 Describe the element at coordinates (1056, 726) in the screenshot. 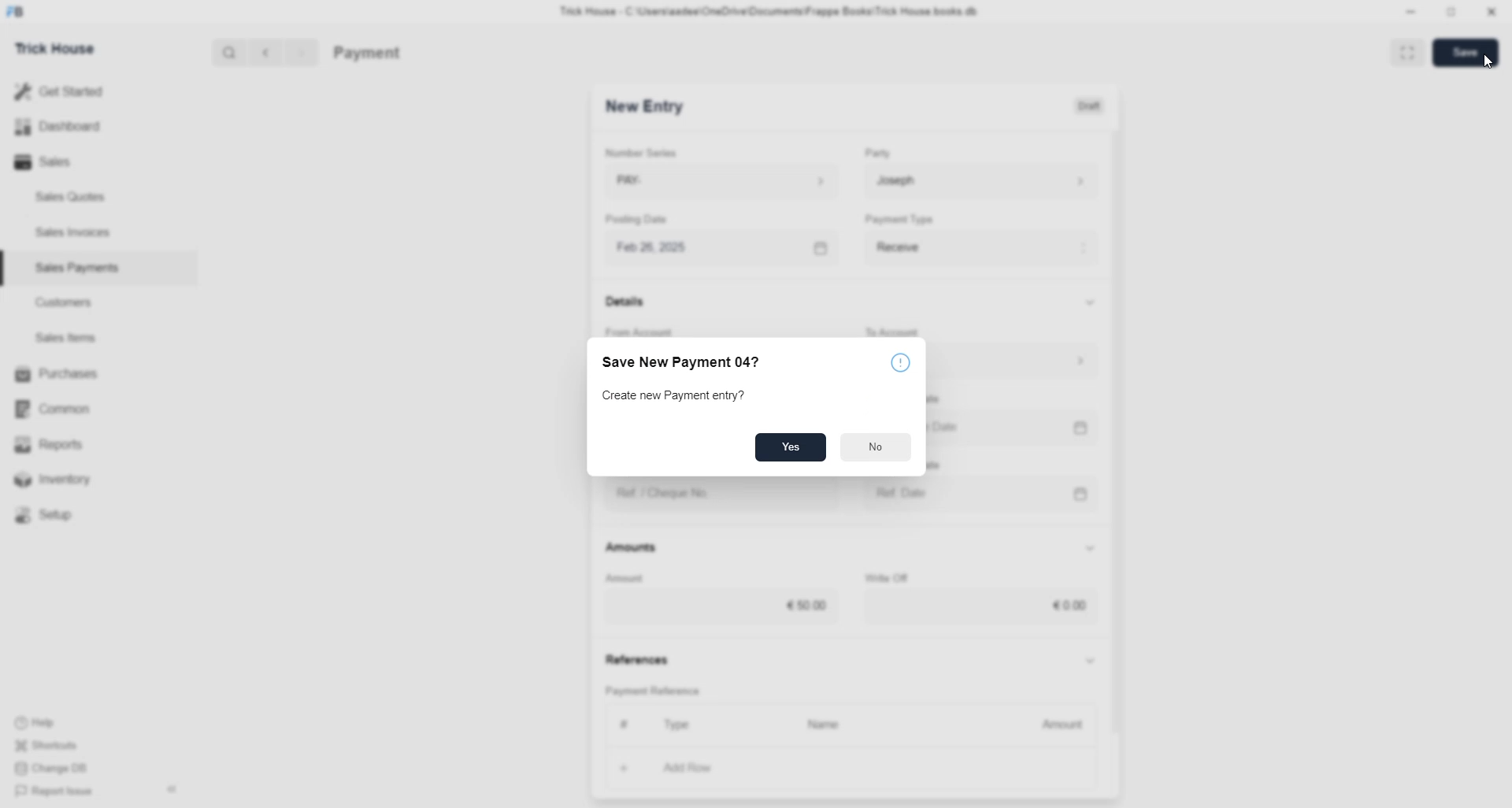

I see `Amount` at that location.